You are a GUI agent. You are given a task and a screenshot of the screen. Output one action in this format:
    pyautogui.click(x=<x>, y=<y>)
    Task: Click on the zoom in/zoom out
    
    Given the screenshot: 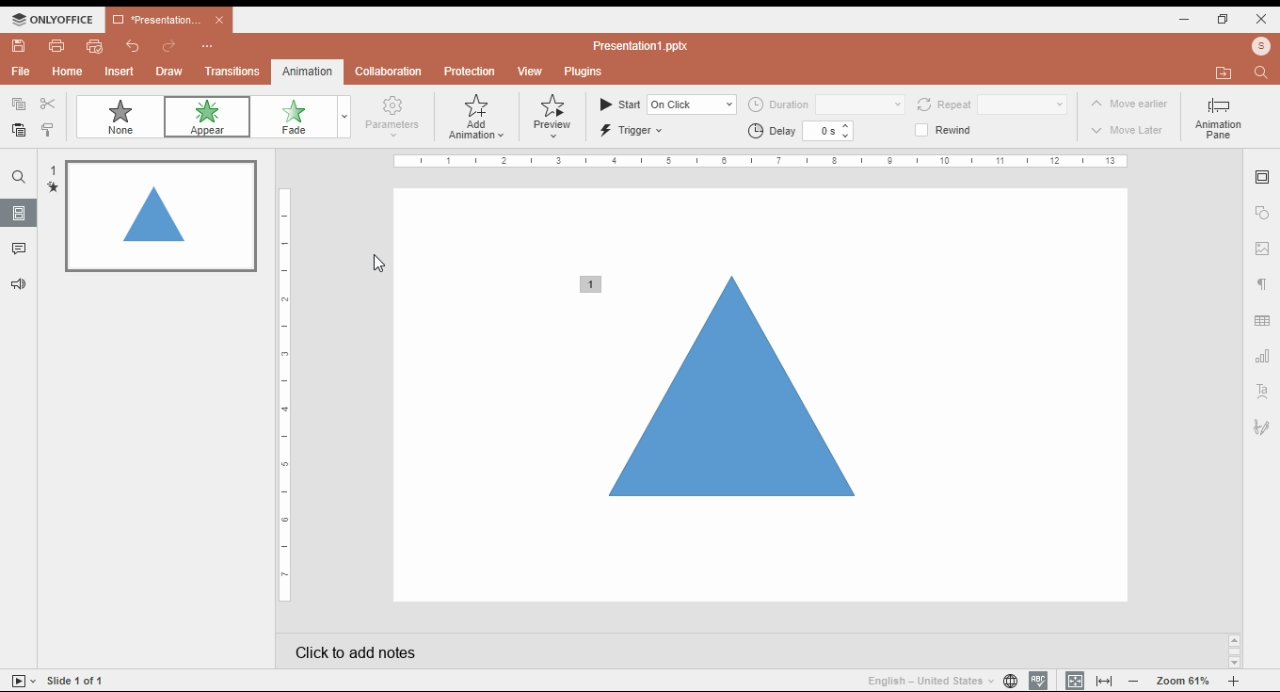 What is the action you would take?
    pyautogui.click(x=1185, y=681)
    